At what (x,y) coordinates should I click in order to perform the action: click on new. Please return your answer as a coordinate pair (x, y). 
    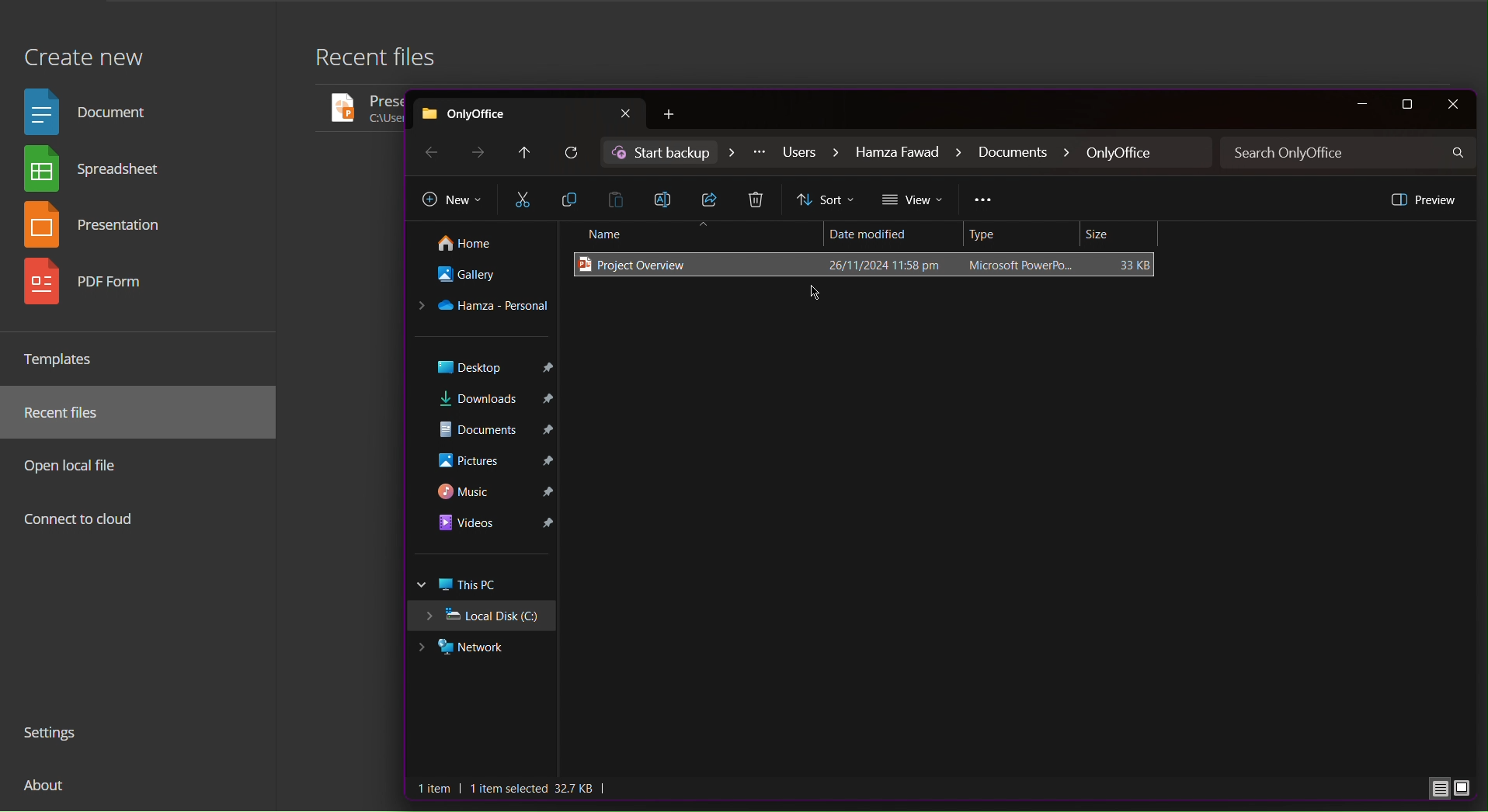
    Looking at the image, I should click on (676, 115).